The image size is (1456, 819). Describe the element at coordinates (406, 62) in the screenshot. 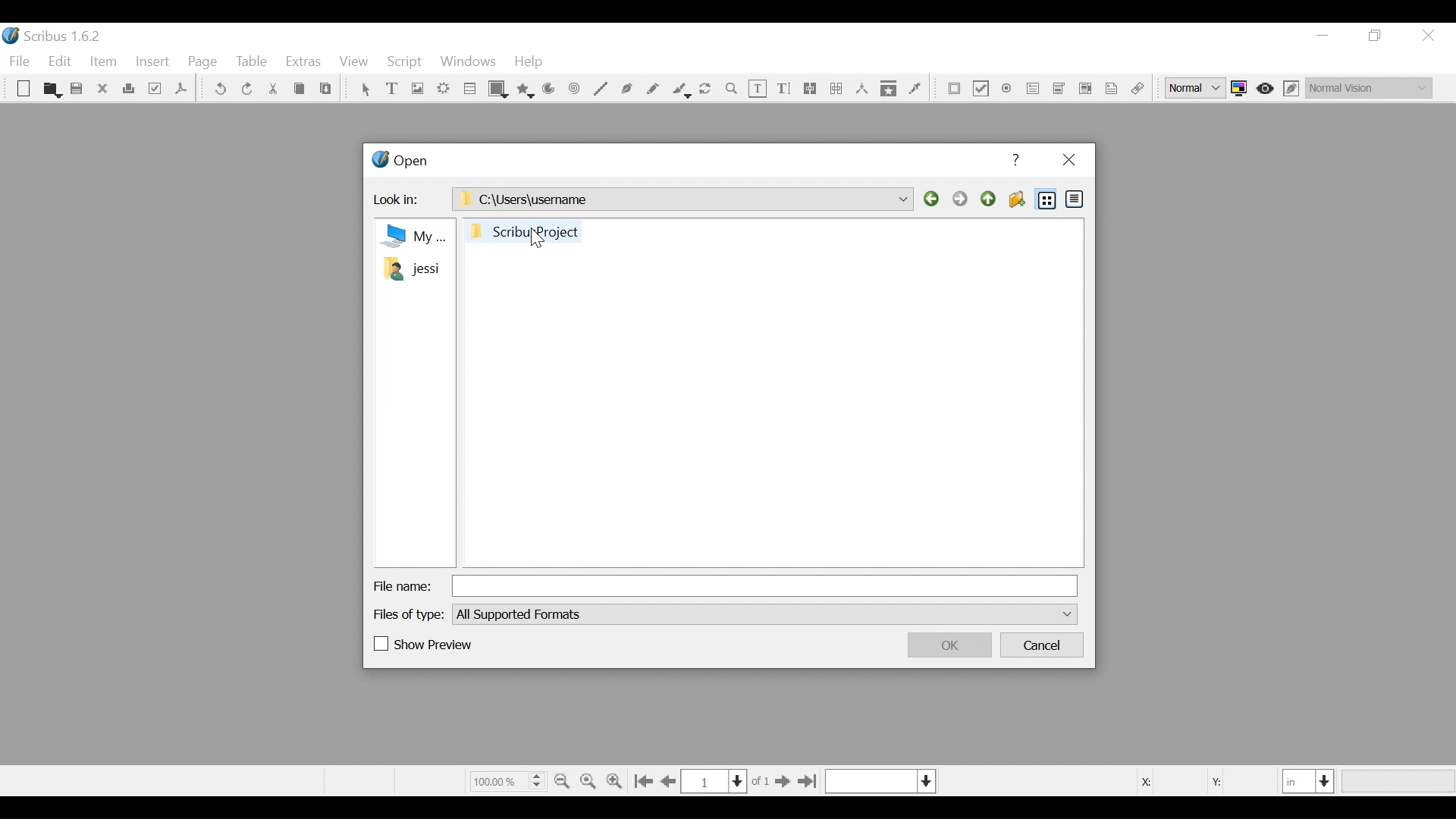

I see `Script` at that location.